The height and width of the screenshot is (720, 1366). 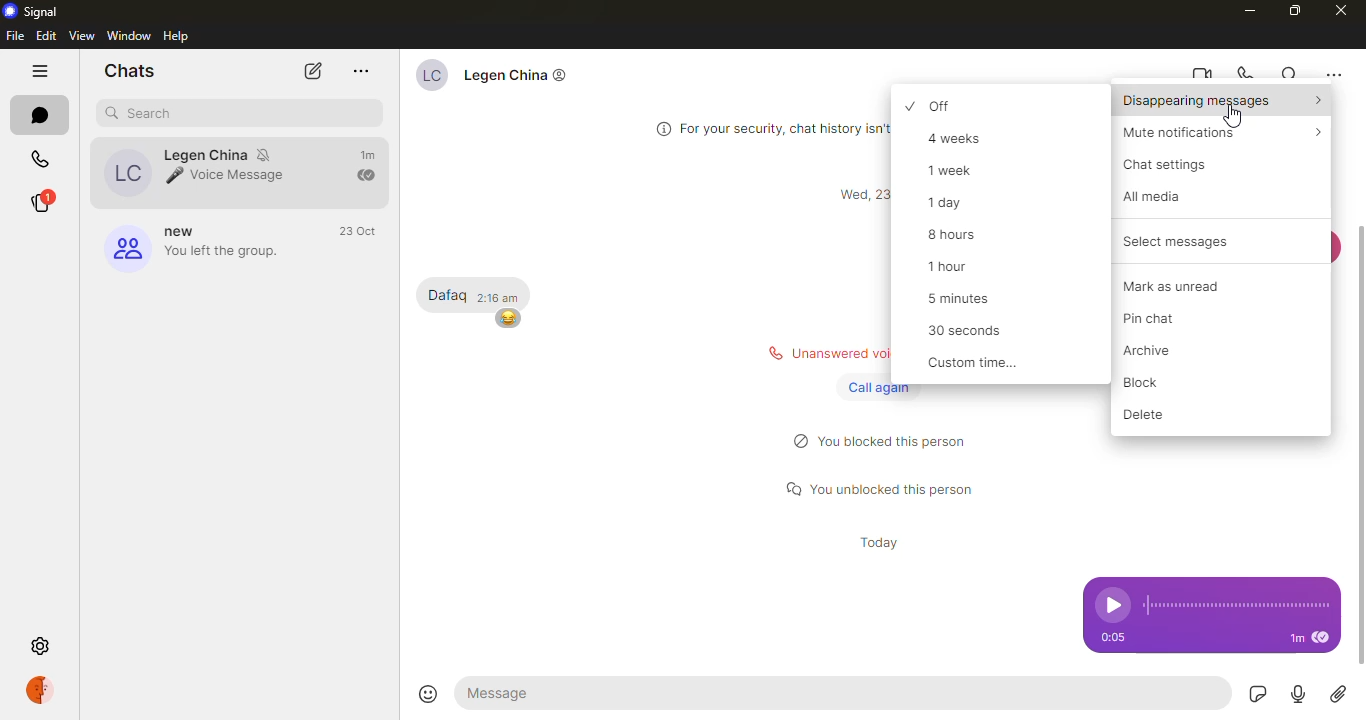 What do you see at coordinates (1235, 605) in the screenshot?
I see `track` at bounding box center [1235, 605].